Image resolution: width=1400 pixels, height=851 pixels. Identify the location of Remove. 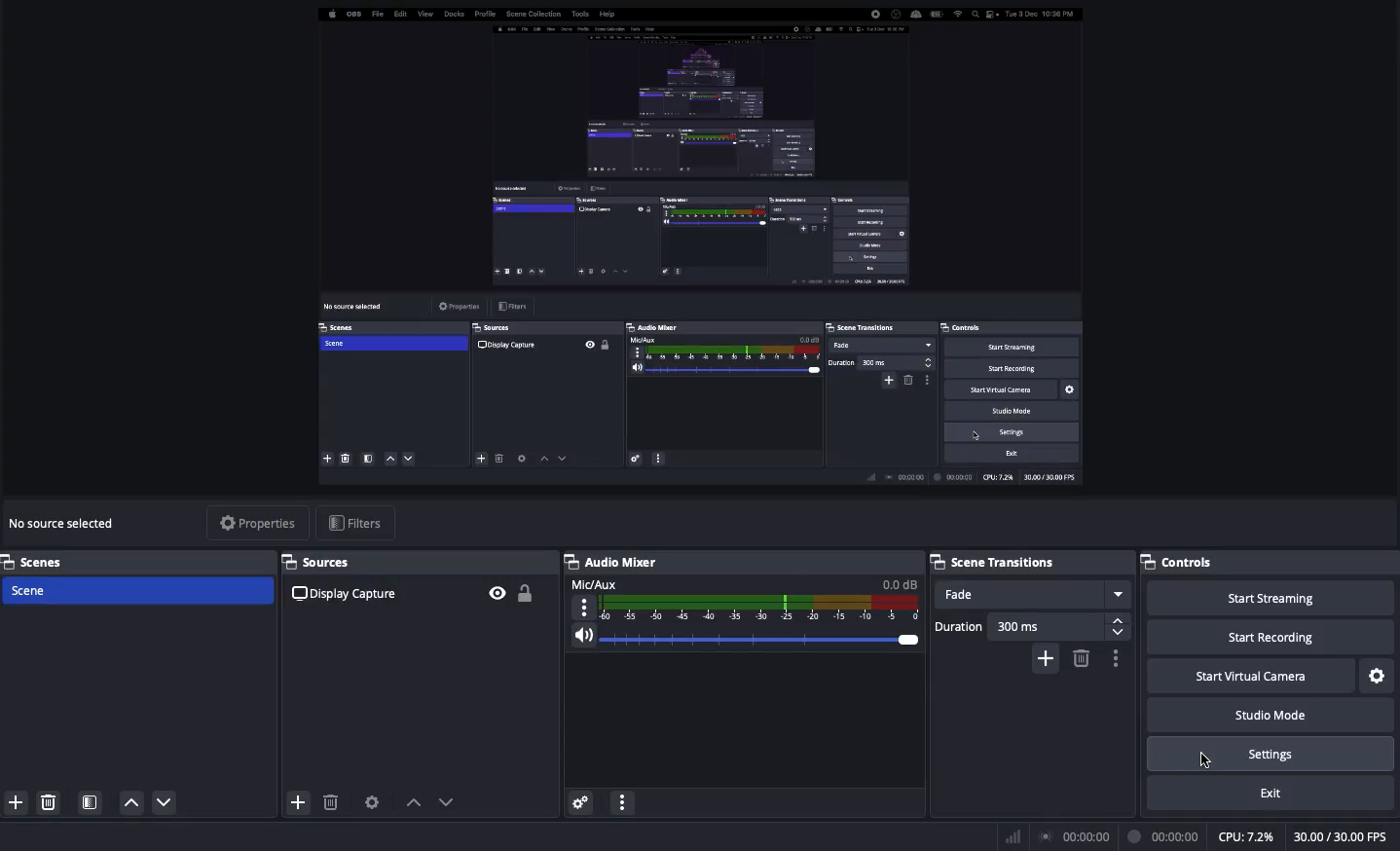
(1083, 660).